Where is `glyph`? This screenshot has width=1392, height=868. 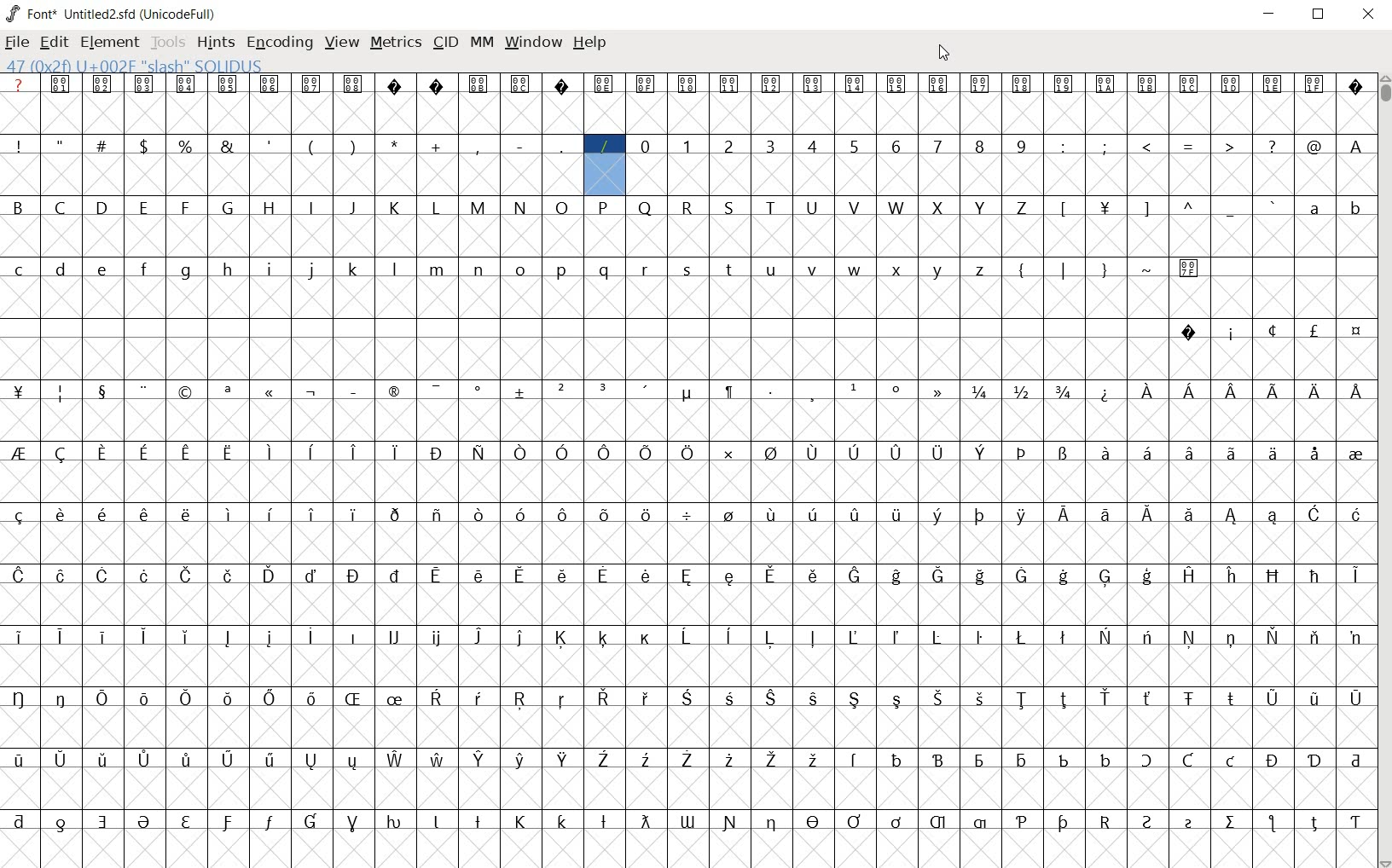
glyph is located at coordinates (478, 208).